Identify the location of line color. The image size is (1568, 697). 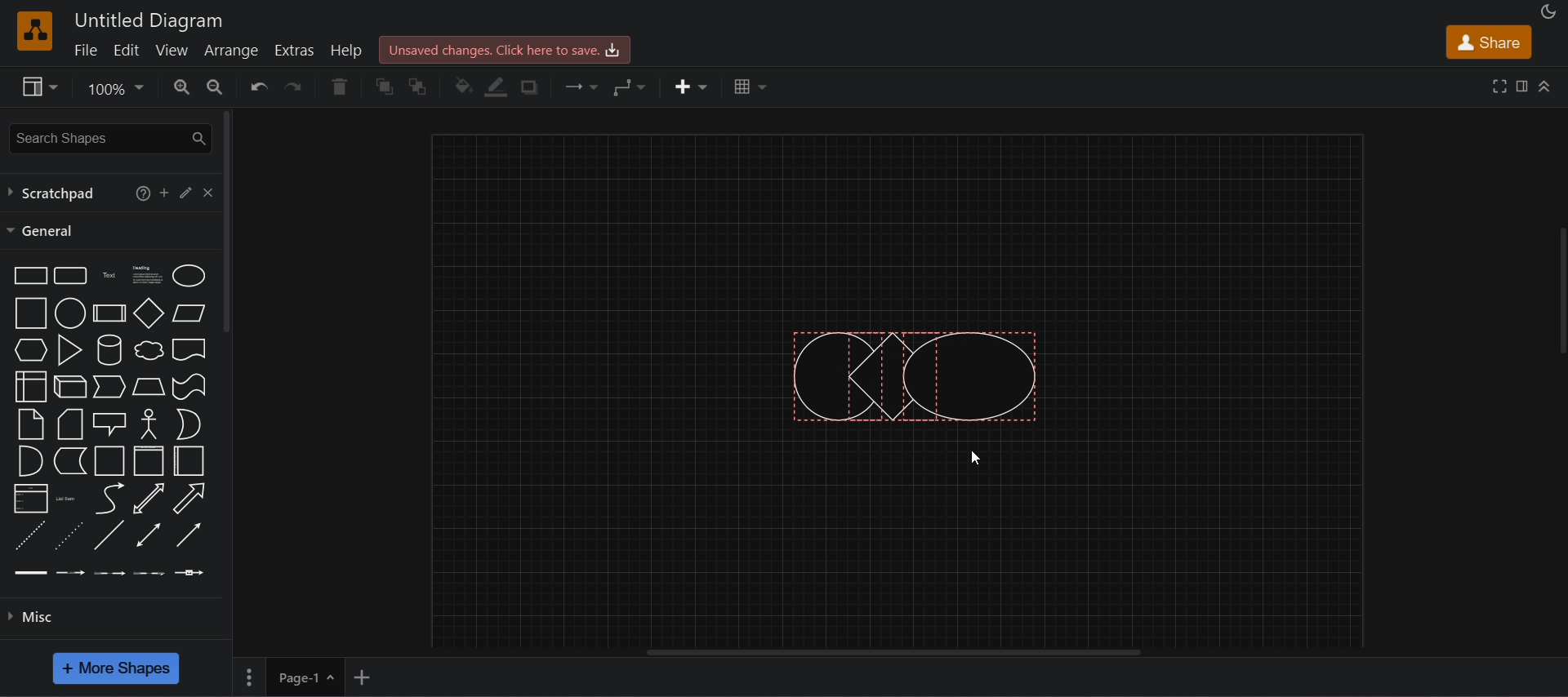
(497, 87).